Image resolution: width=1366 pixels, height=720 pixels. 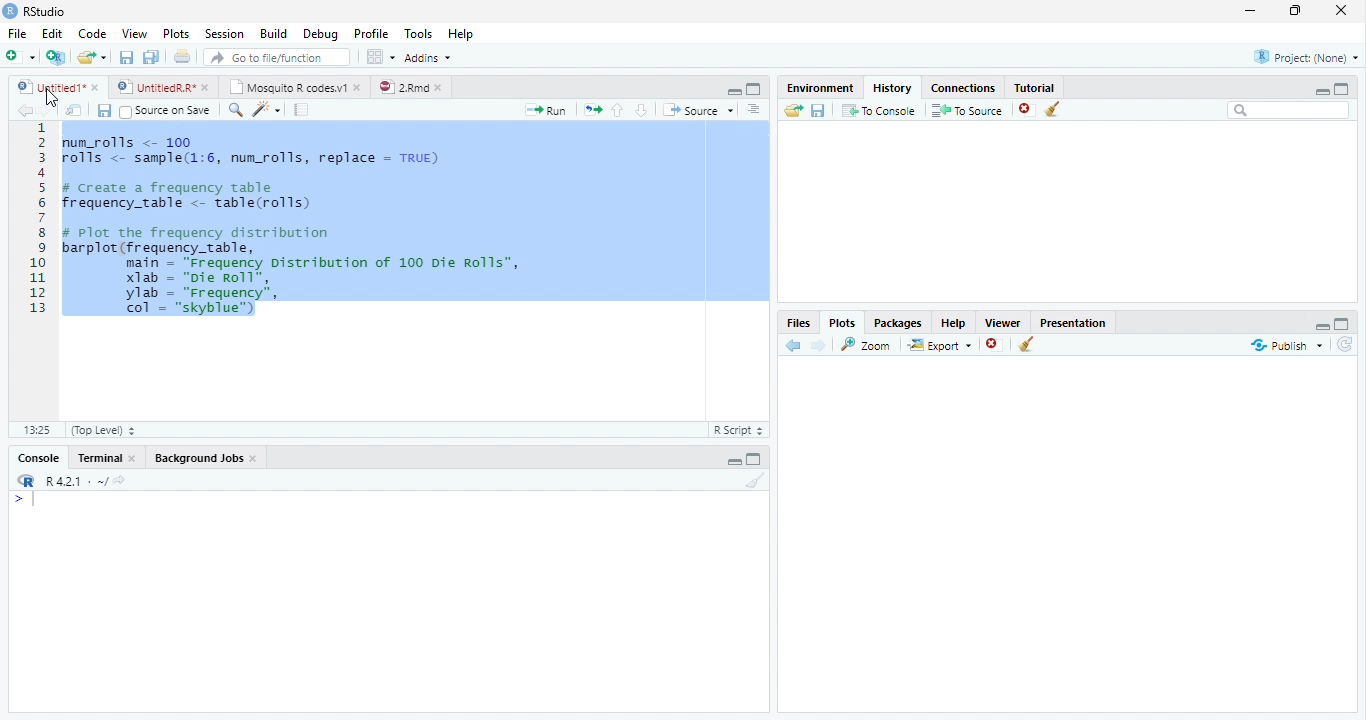 I want to click on List, so click(x=756, y=111).